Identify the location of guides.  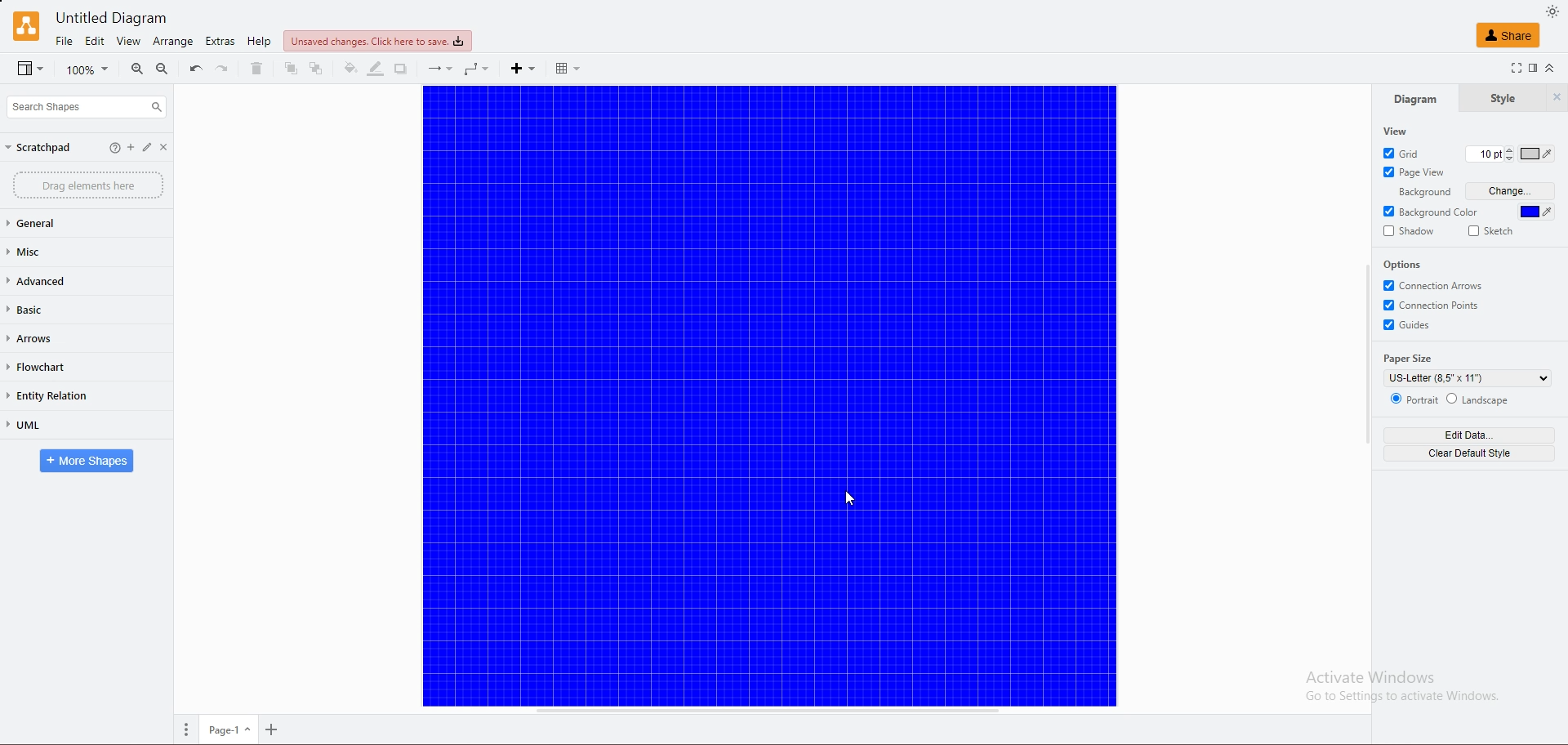
(1410, 326).